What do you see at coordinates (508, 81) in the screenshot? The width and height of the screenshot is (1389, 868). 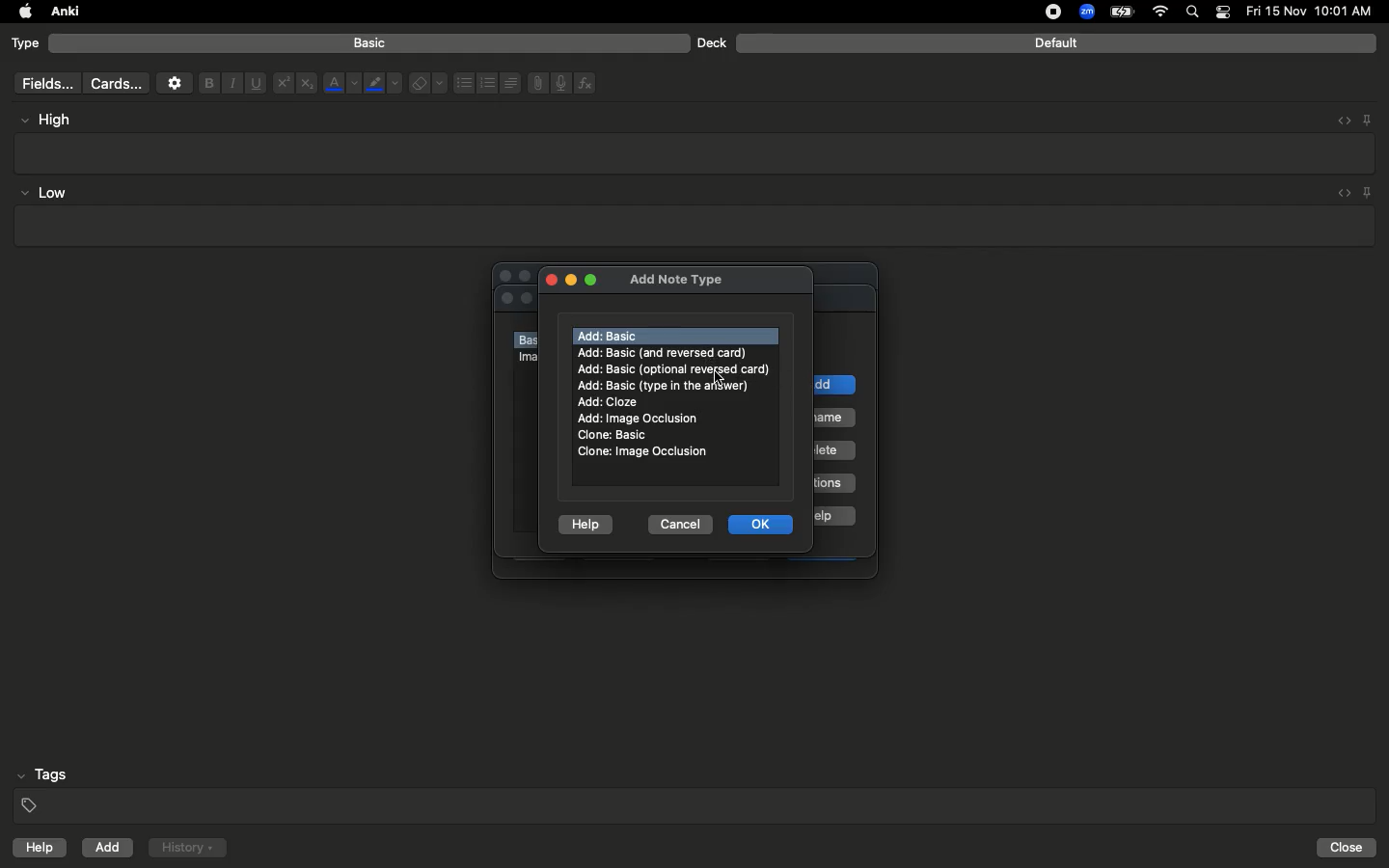 I see `Alignment` at bounding box center [508, 81].